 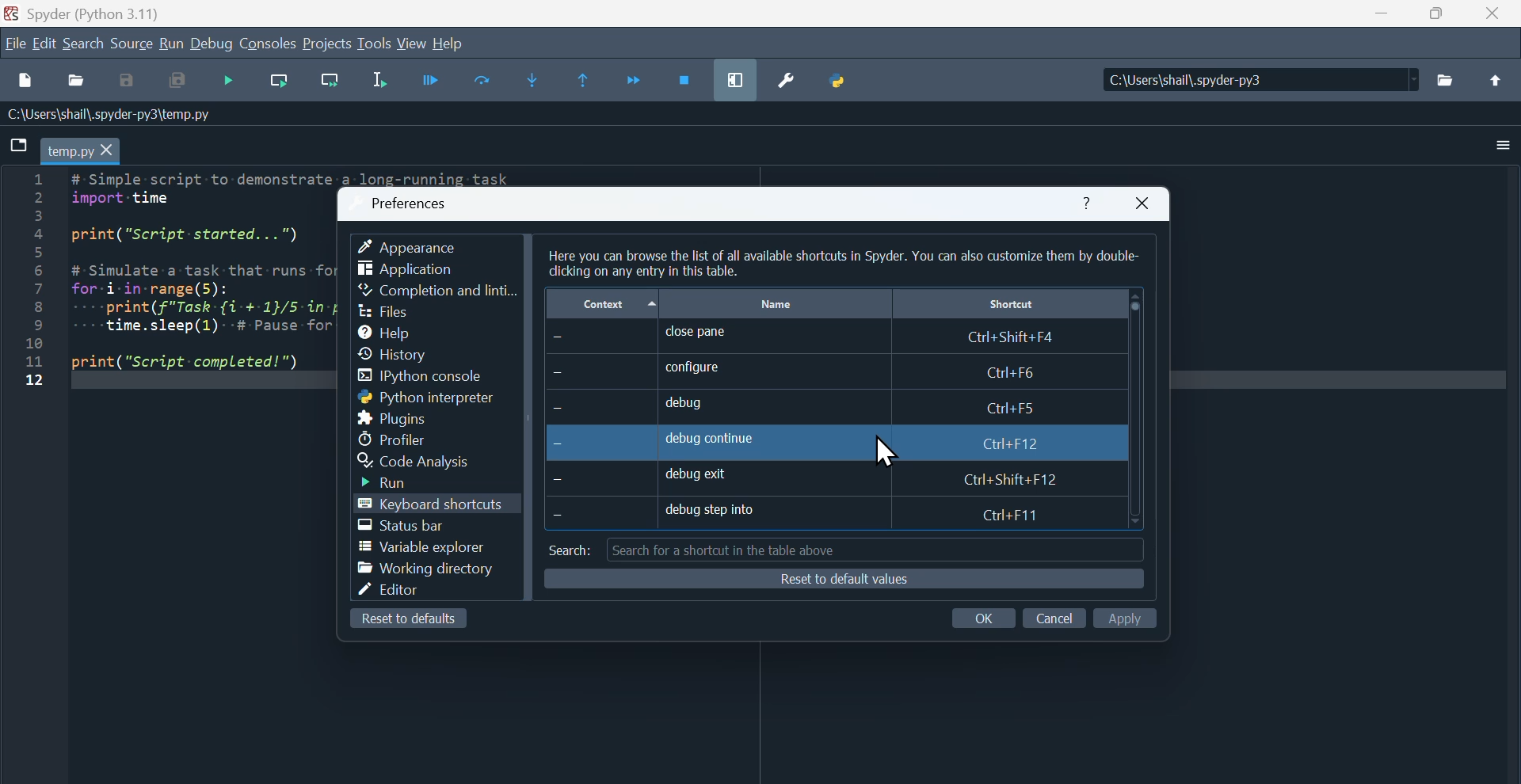 What do you see at coordinates (1146, 203) in the screenshot?
I see `Close` at bounding box center [1146, 203].